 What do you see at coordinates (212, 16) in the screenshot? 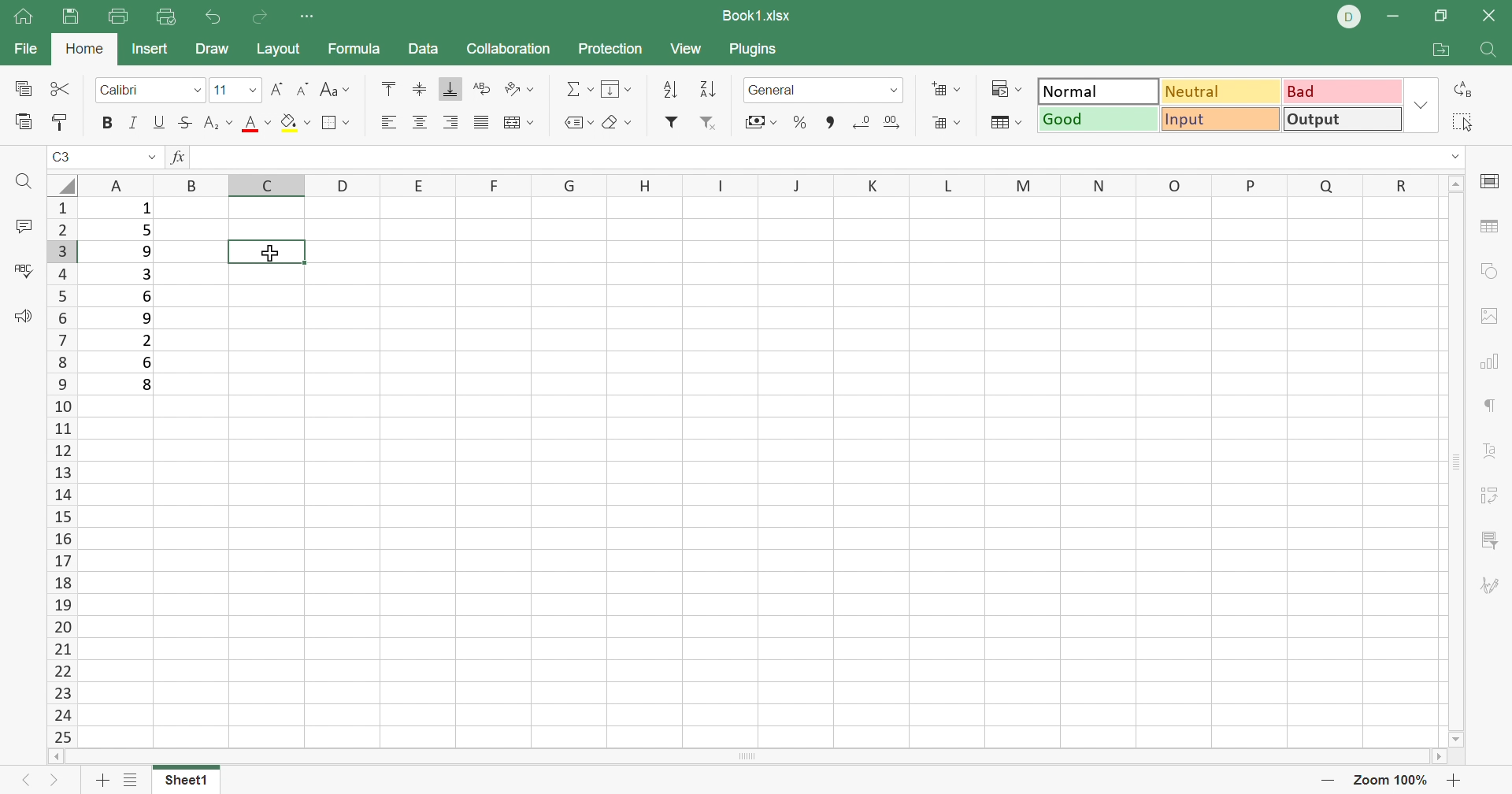
I see `Undo` at bounding box center [212, 16].